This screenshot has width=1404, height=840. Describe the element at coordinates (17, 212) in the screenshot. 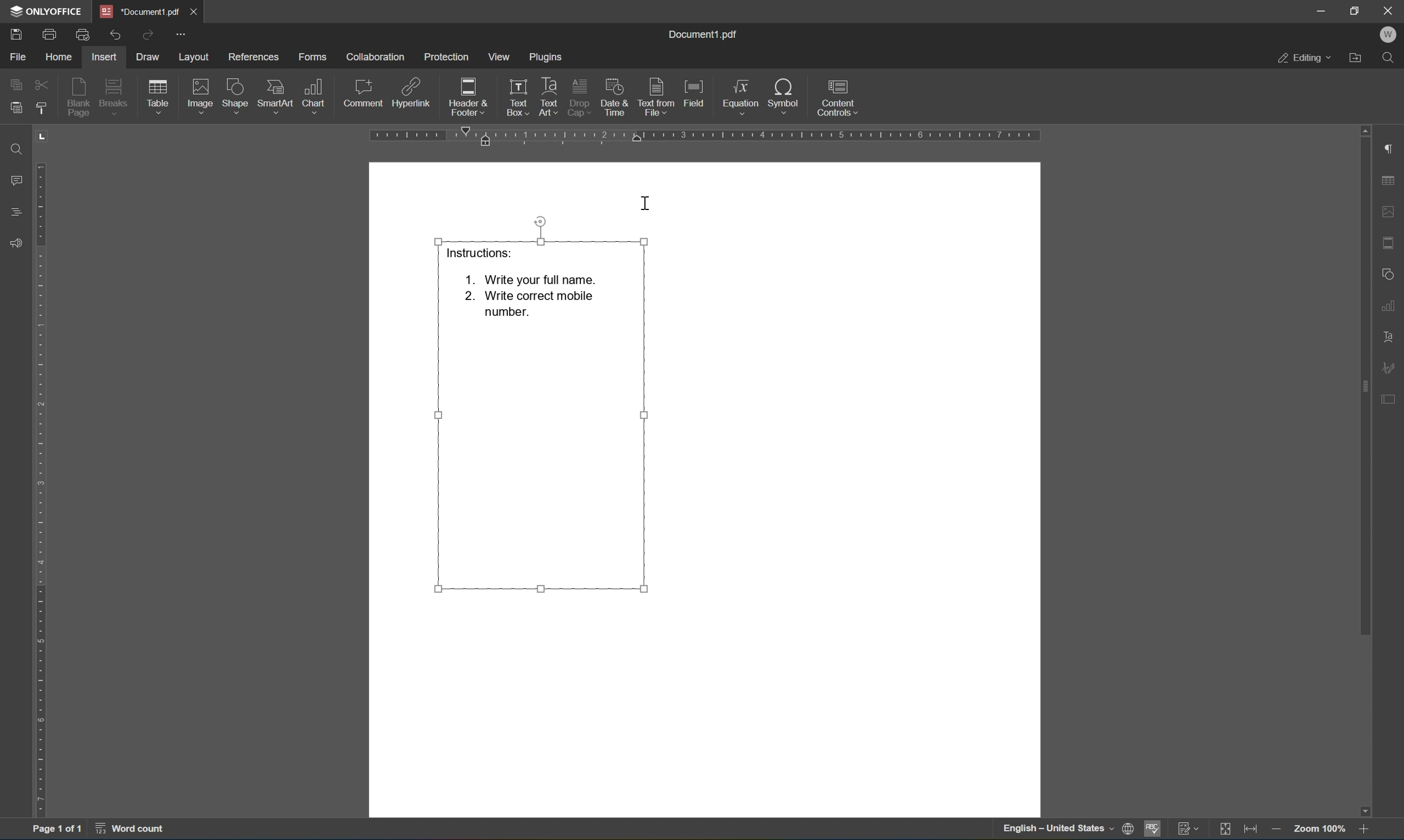

I see `Headings` at that location.